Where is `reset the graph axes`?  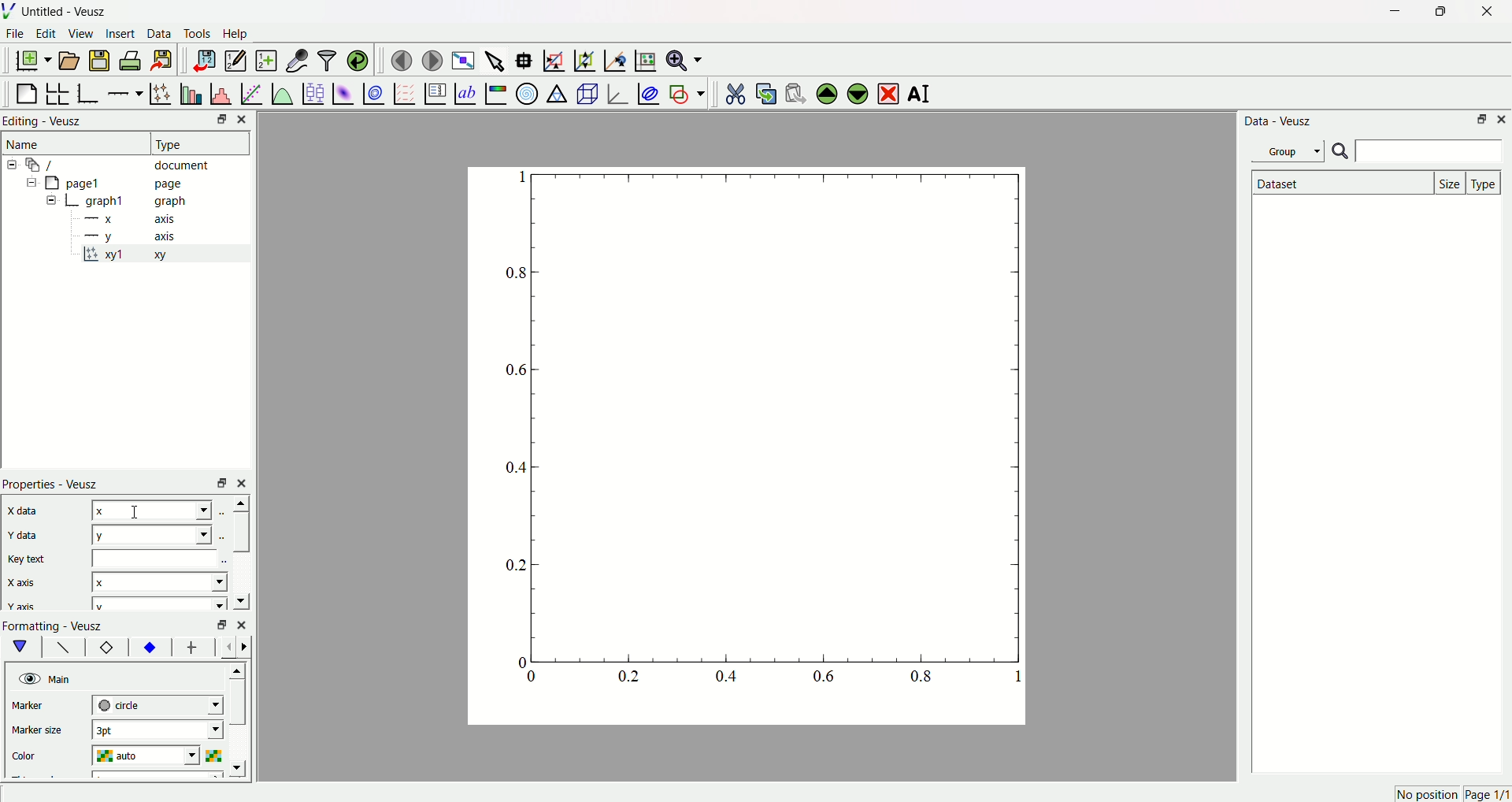 reset the graph axes is located at coordinates (643, 58).